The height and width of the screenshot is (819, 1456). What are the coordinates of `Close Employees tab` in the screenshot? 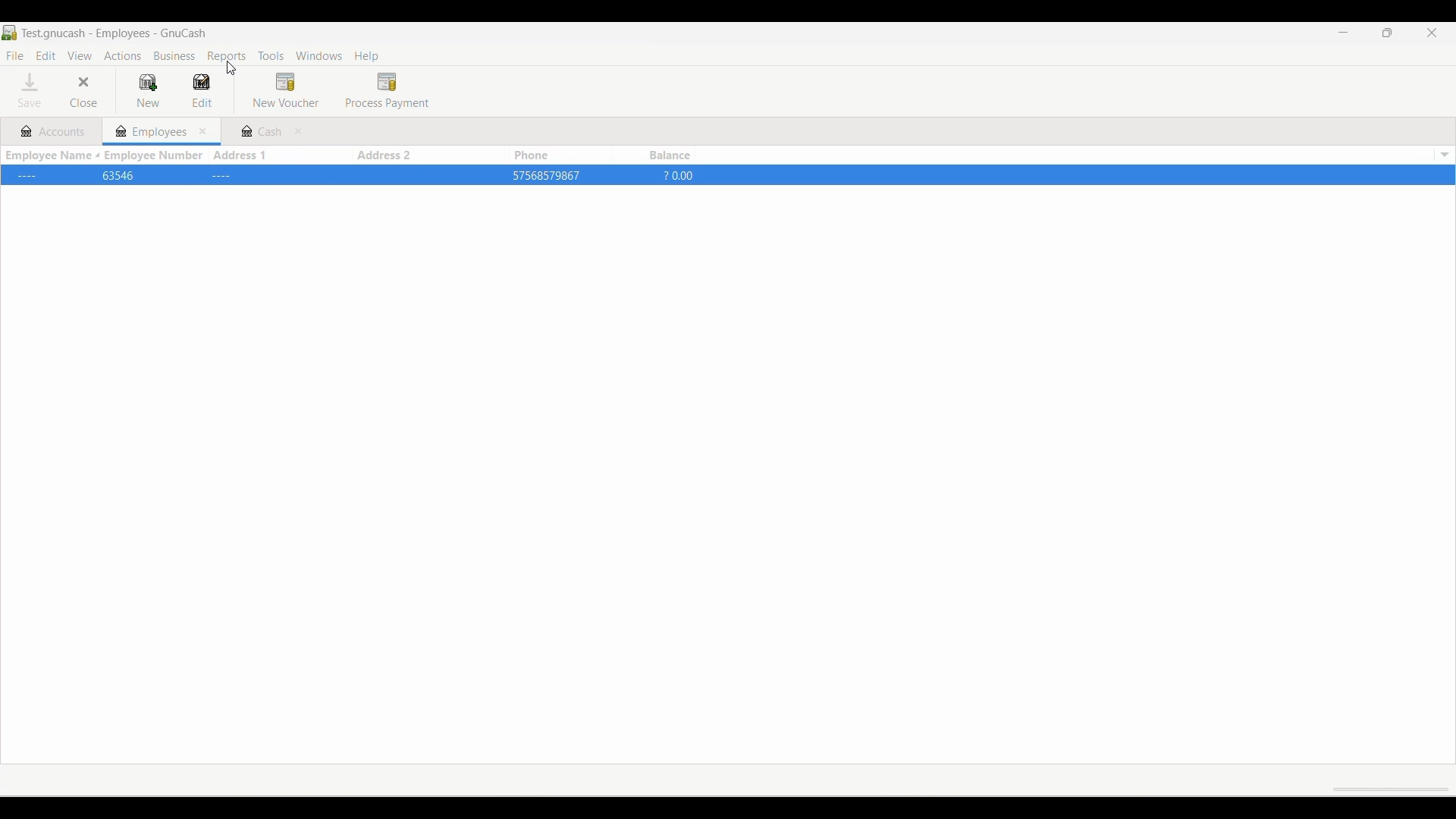 It's located at (202, 131).